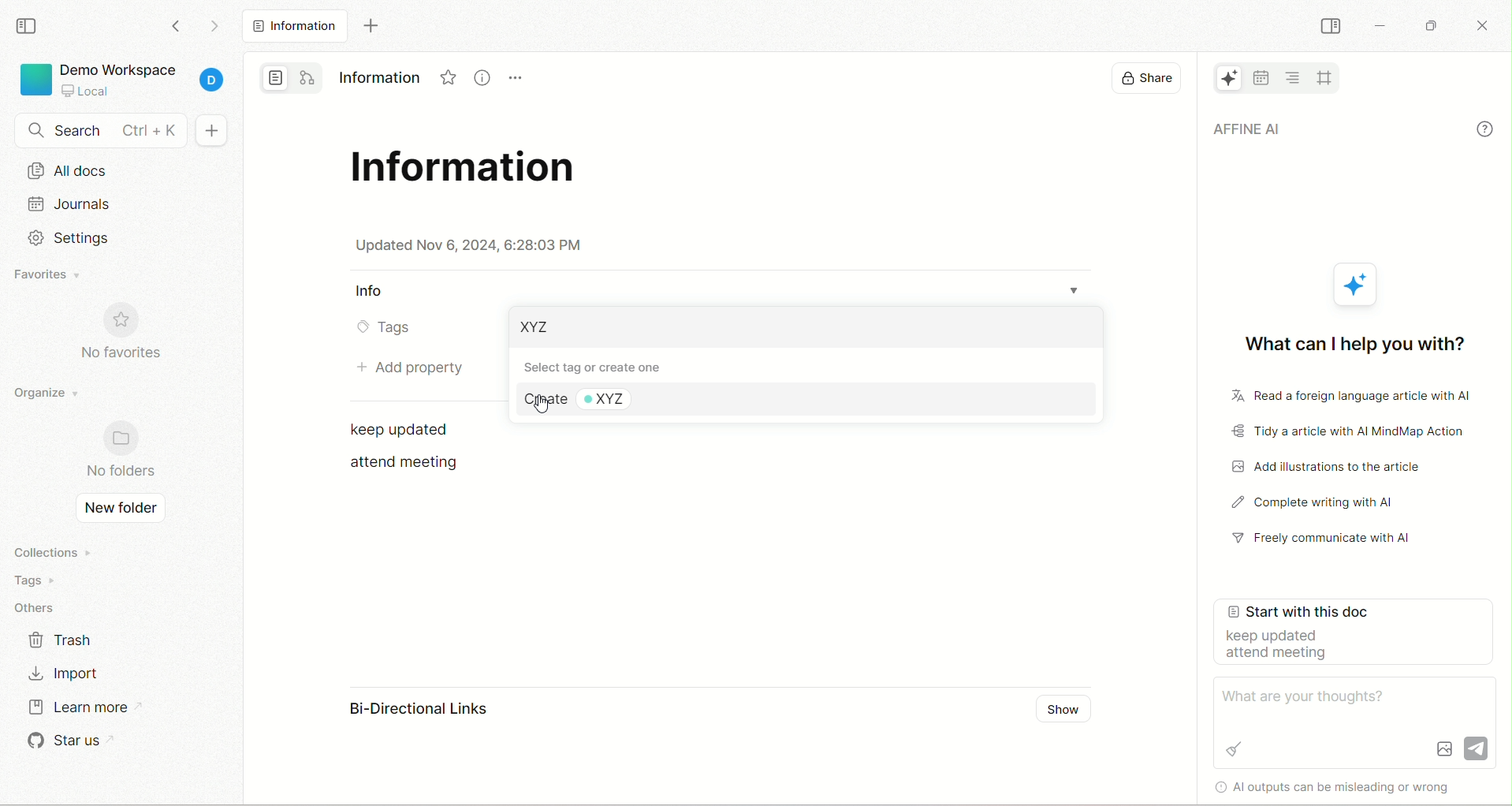 Image resolution: width=1512 pixels, height=806 pixels. Describe the element at coordinates (49, 550) in the screenshot. I see `collections` at that location.